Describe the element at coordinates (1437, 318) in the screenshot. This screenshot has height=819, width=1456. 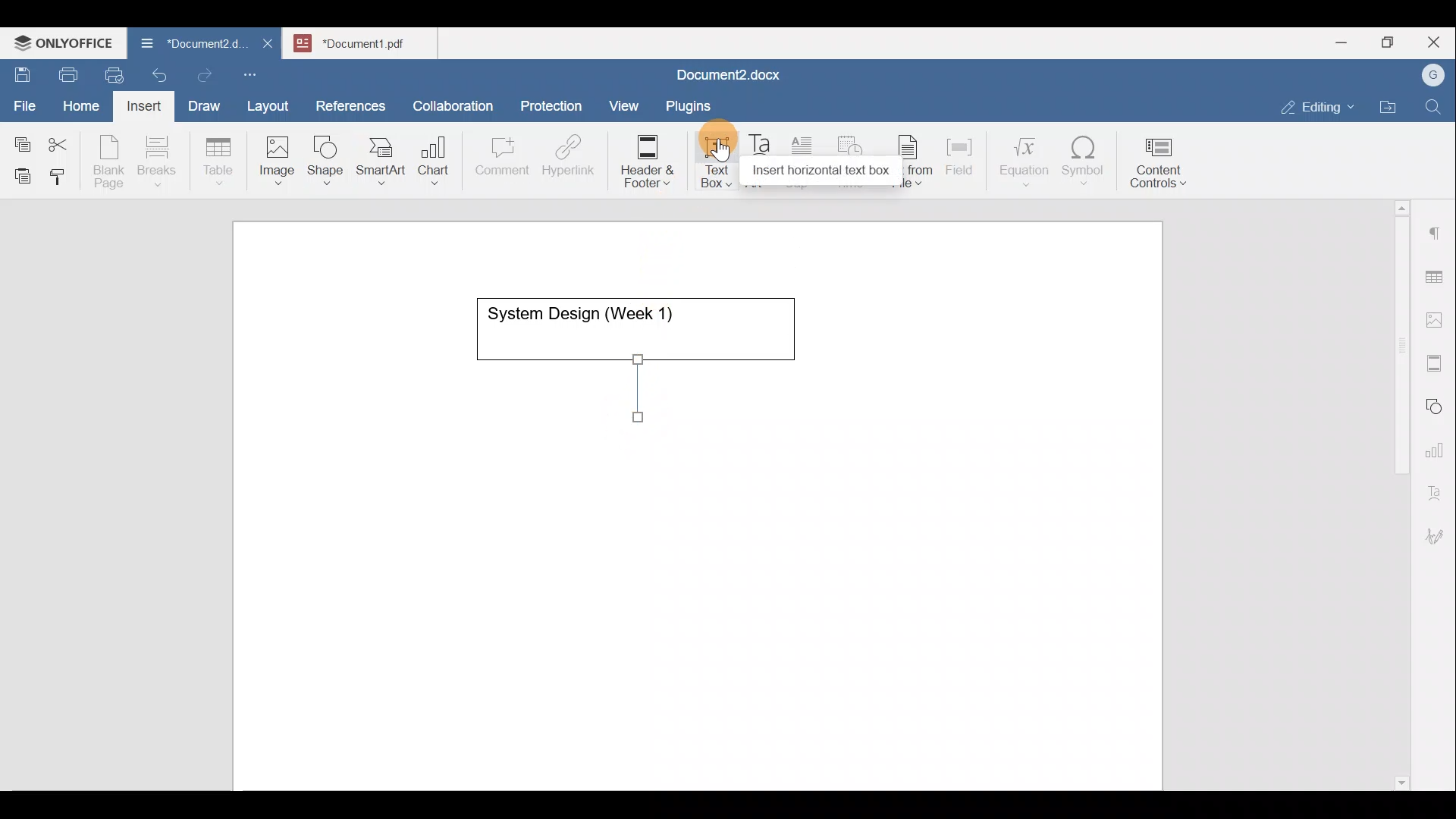
I see `Image settings` at that location.